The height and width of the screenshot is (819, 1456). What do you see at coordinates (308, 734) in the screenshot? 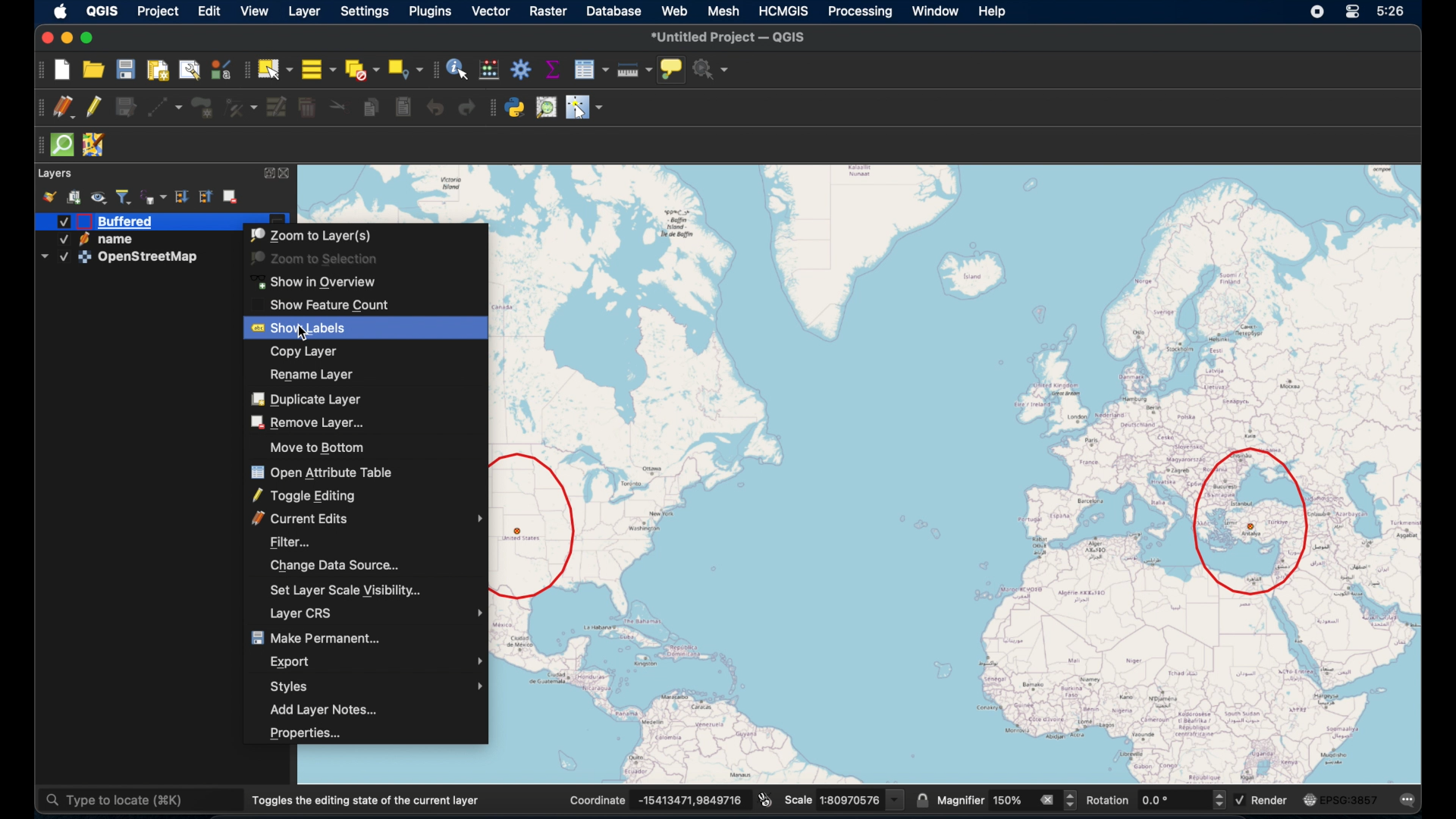
I see `properties` at bounding box center [308, 734].